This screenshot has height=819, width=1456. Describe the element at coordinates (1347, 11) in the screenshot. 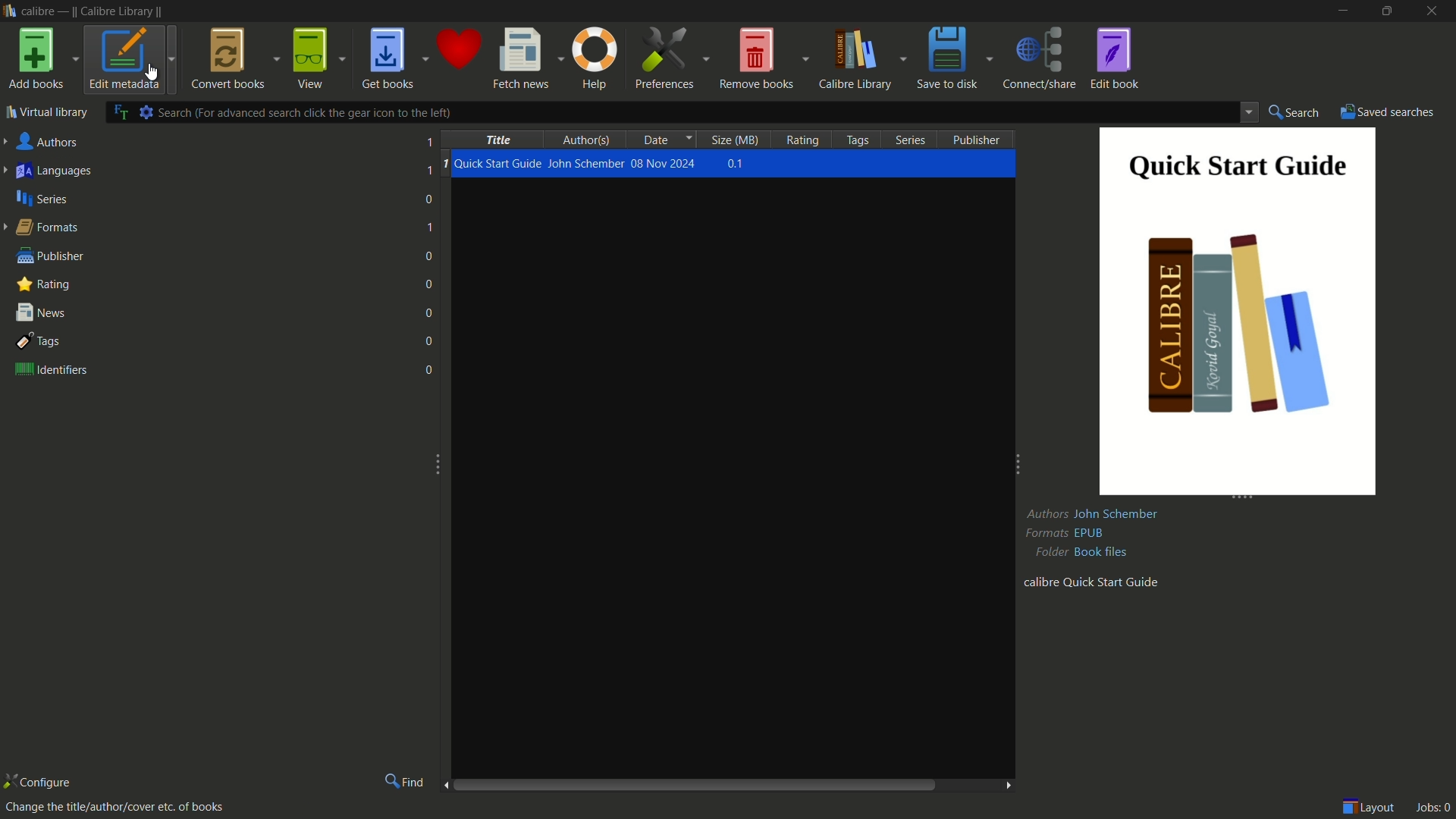

I see `minimize` at that location.